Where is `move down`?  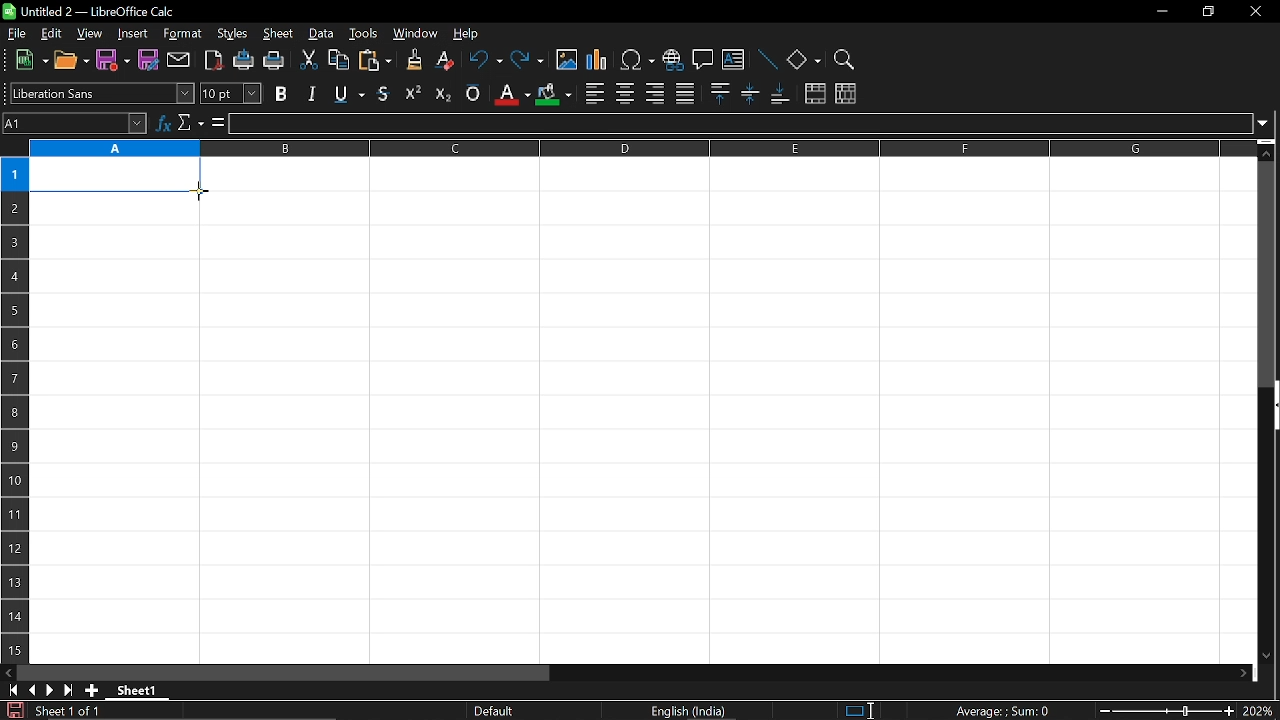
move down is located at coordinates (1270, 657).